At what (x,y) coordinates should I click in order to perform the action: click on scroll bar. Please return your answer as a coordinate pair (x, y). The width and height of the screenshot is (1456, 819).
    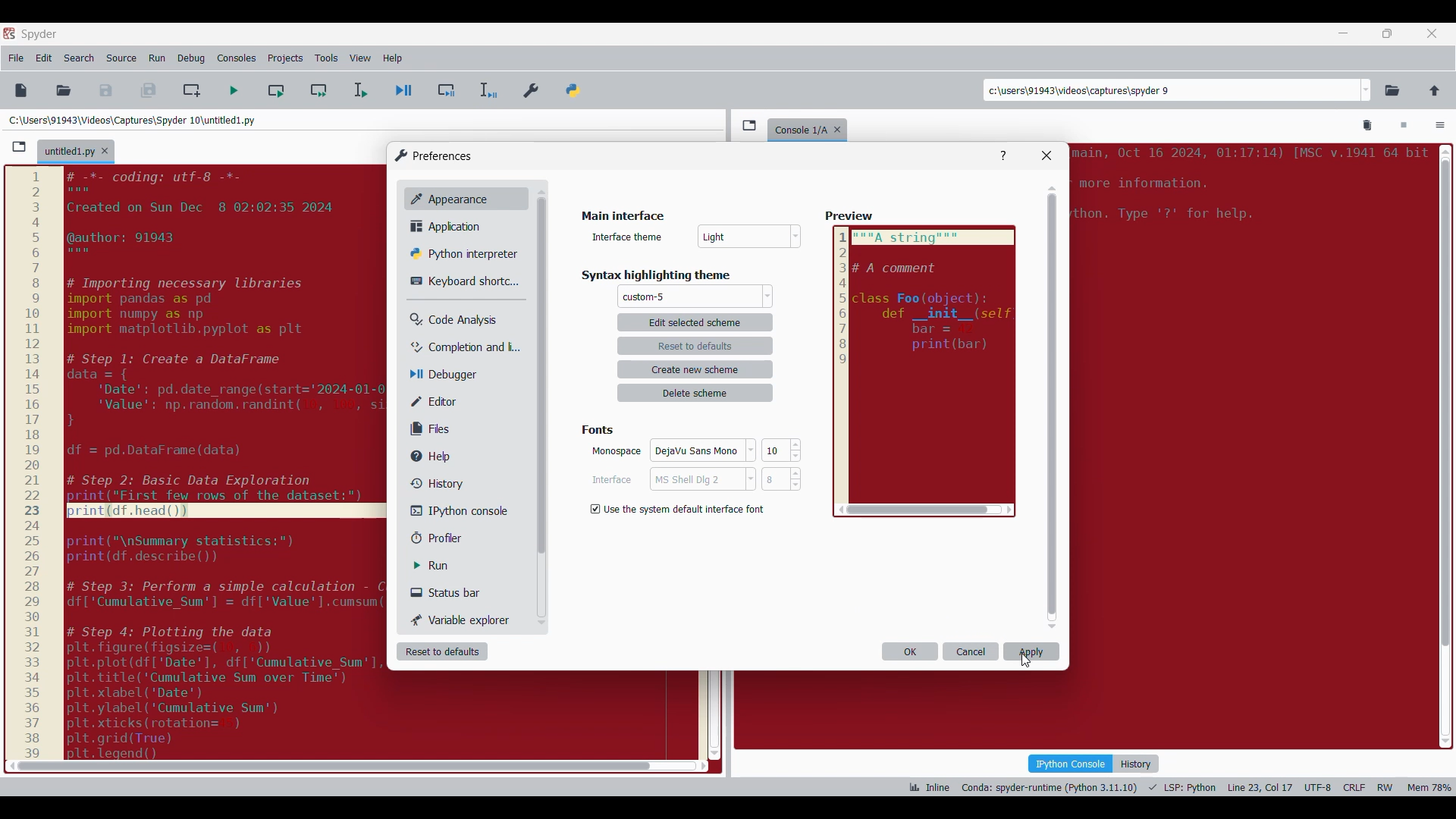
    Looking at the image, I should click on (329, 765).